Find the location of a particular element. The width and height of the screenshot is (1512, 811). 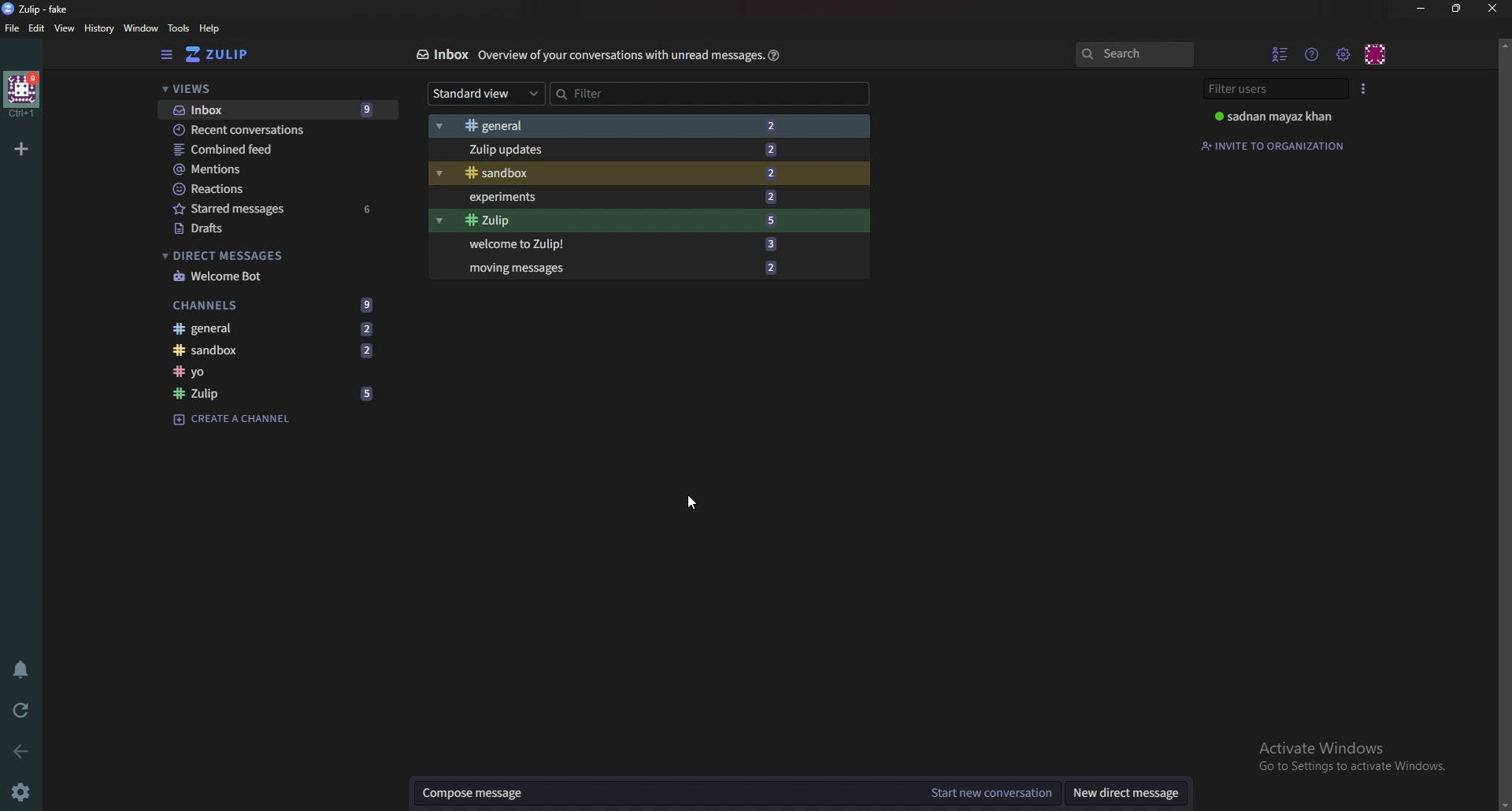

Zulip updates is located at coordinates (613, 149).